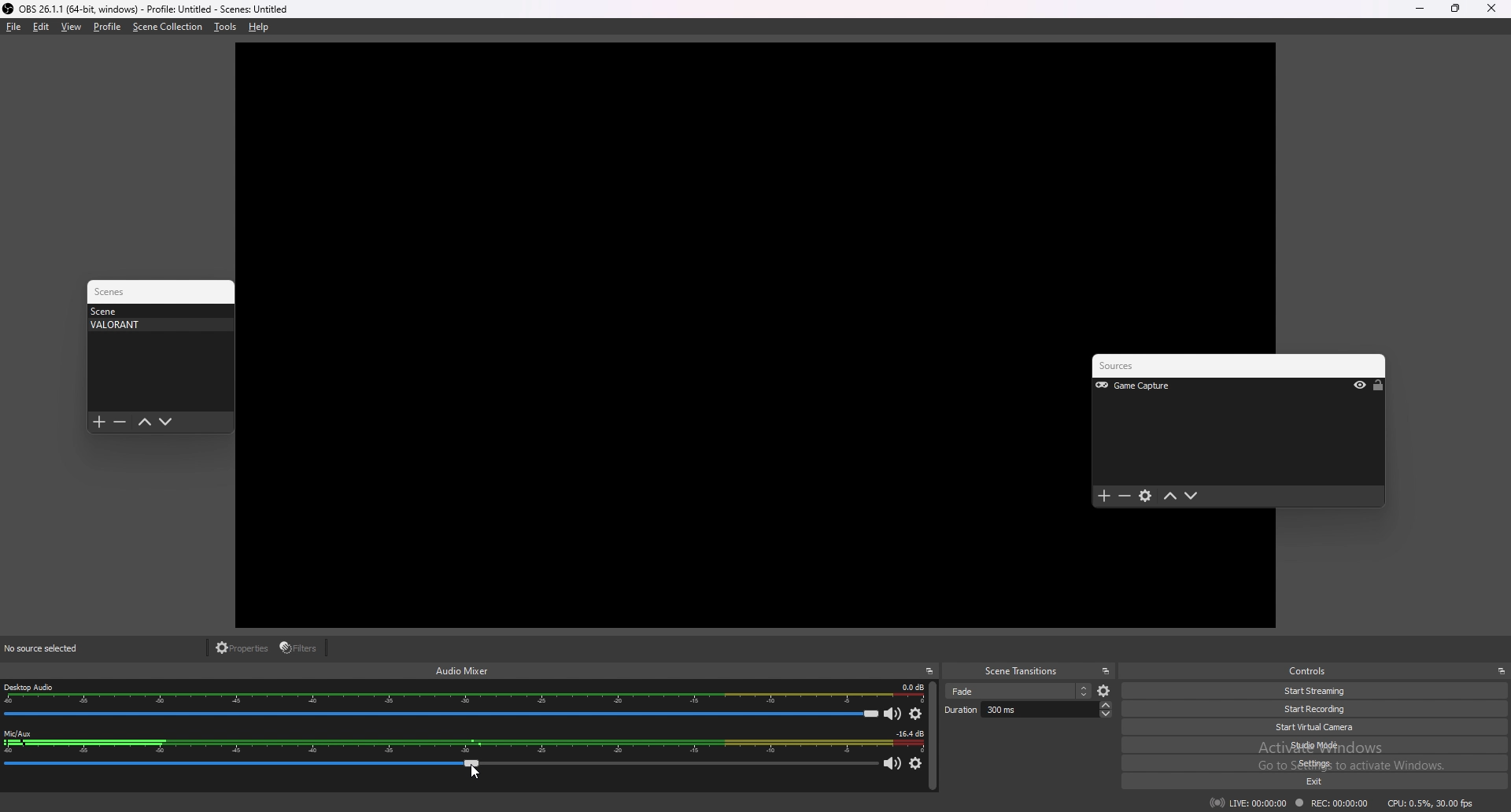  Describe the element at coordinates (1322, 744) in the screenshot. I see `studio mode` at that location.